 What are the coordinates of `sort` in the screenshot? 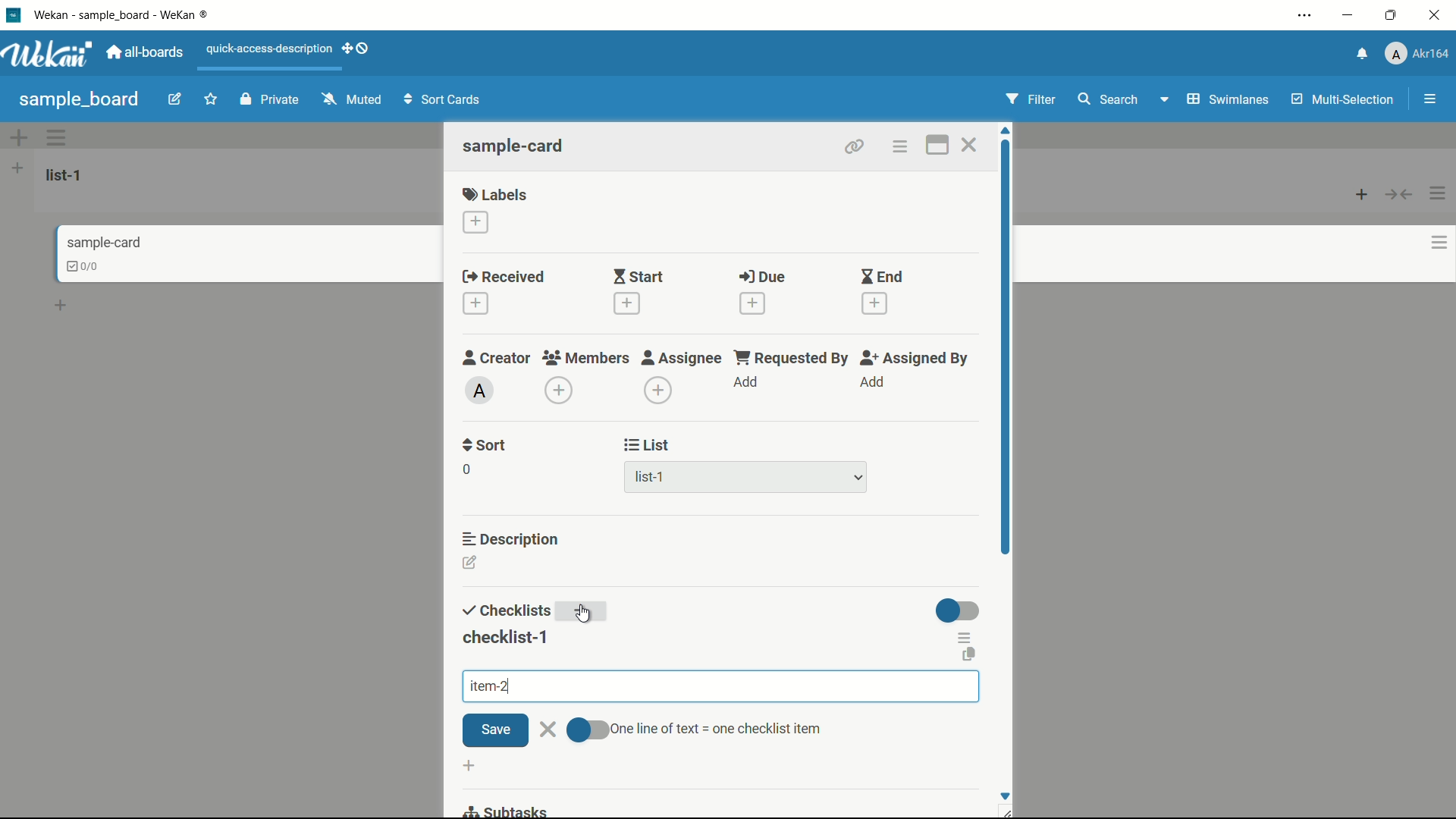 It's located at (485, 445).